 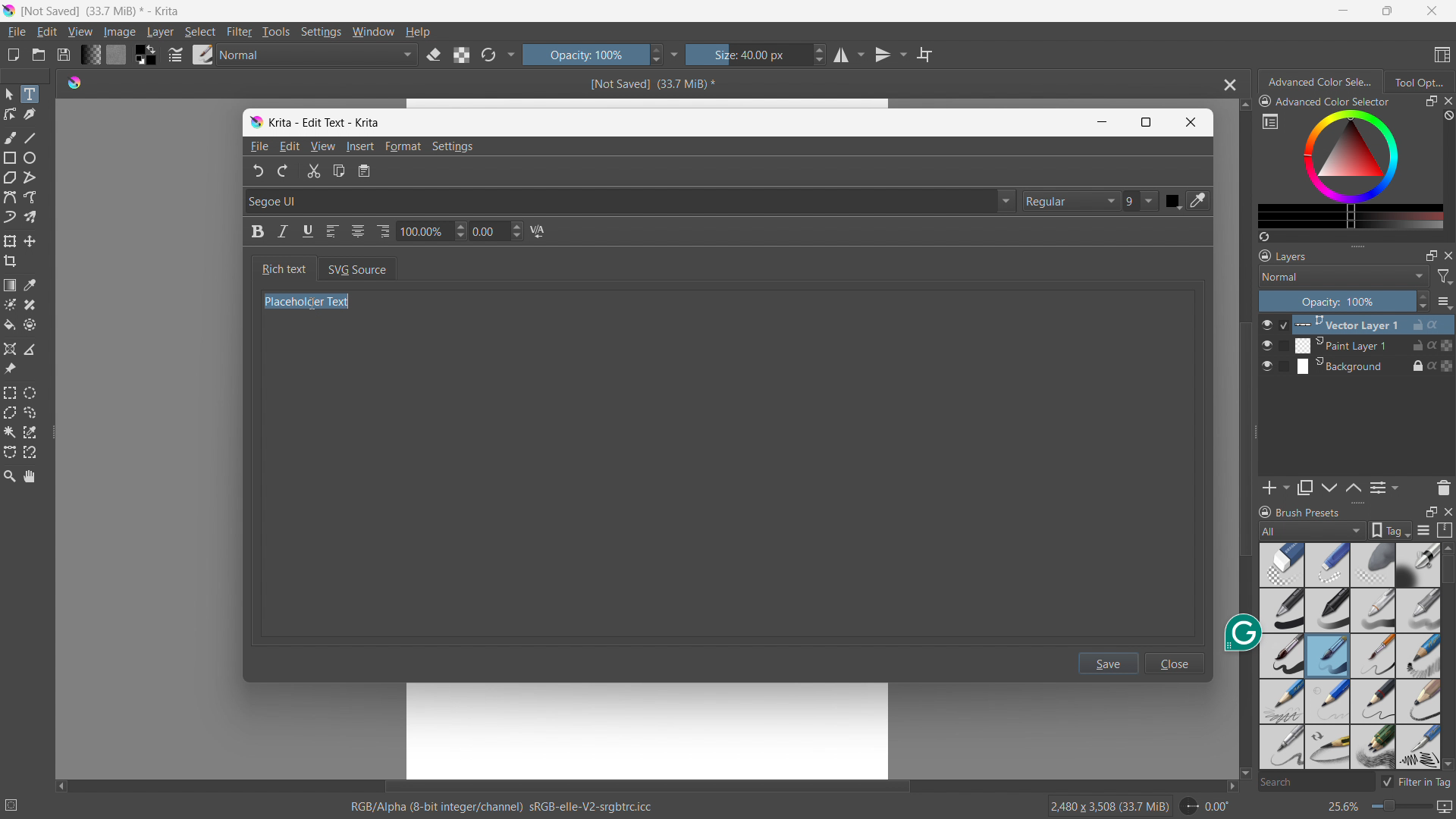 I want to click on vertical mirror tool, so click(x=888, y=55).